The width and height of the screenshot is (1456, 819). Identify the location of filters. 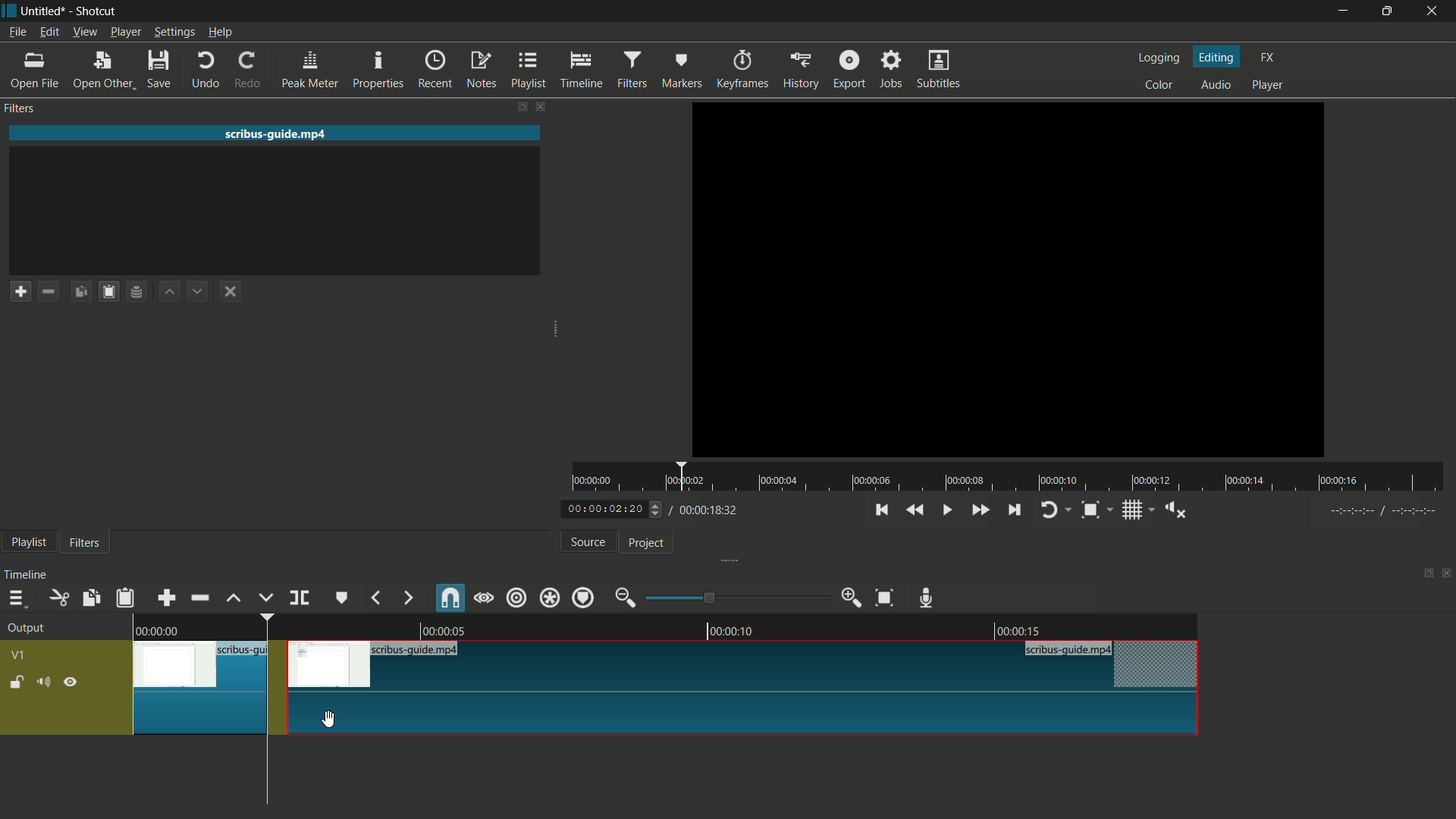
(83, 541).